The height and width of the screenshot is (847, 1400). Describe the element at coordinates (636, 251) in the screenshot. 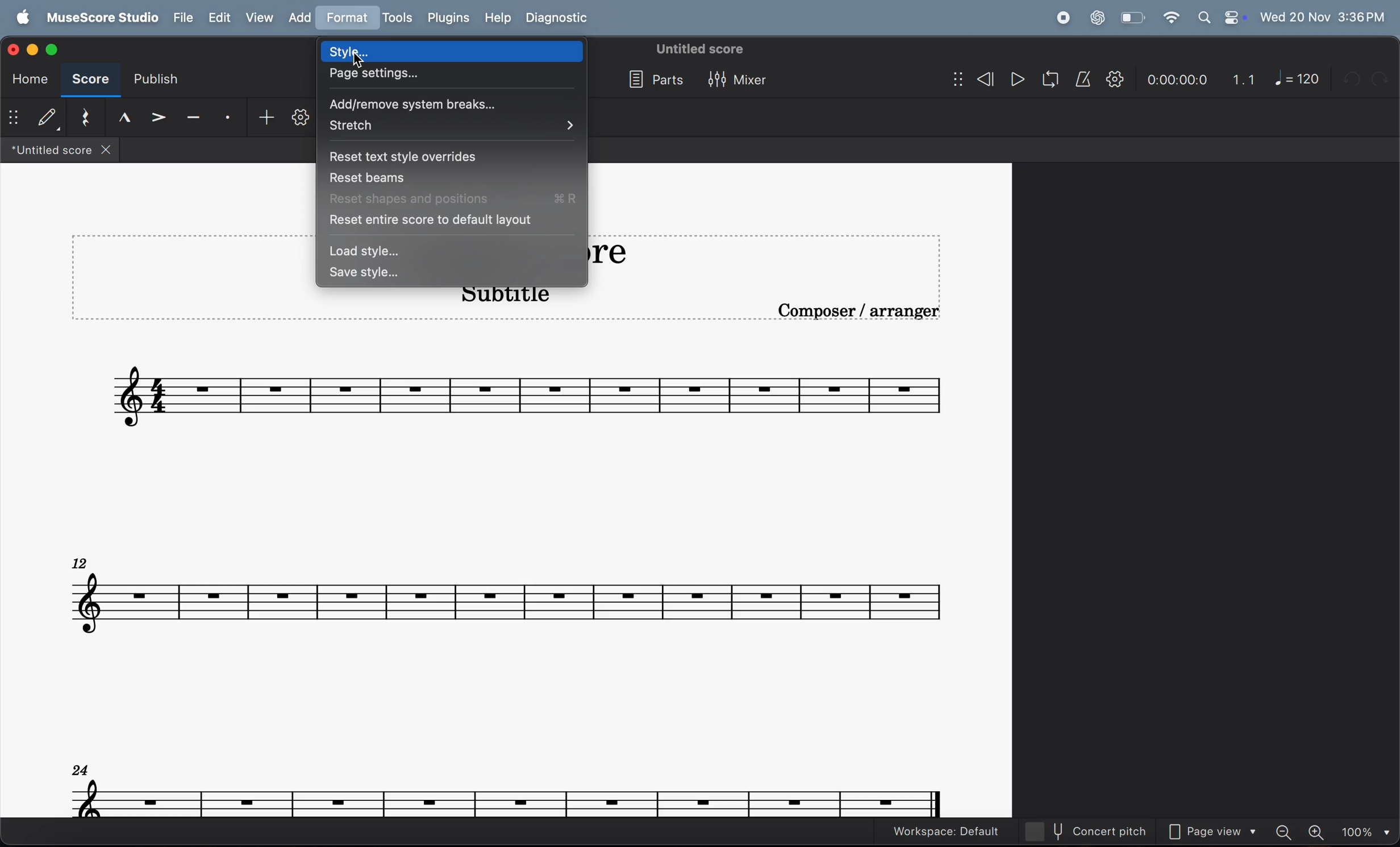

I see `Title bar` at that location.